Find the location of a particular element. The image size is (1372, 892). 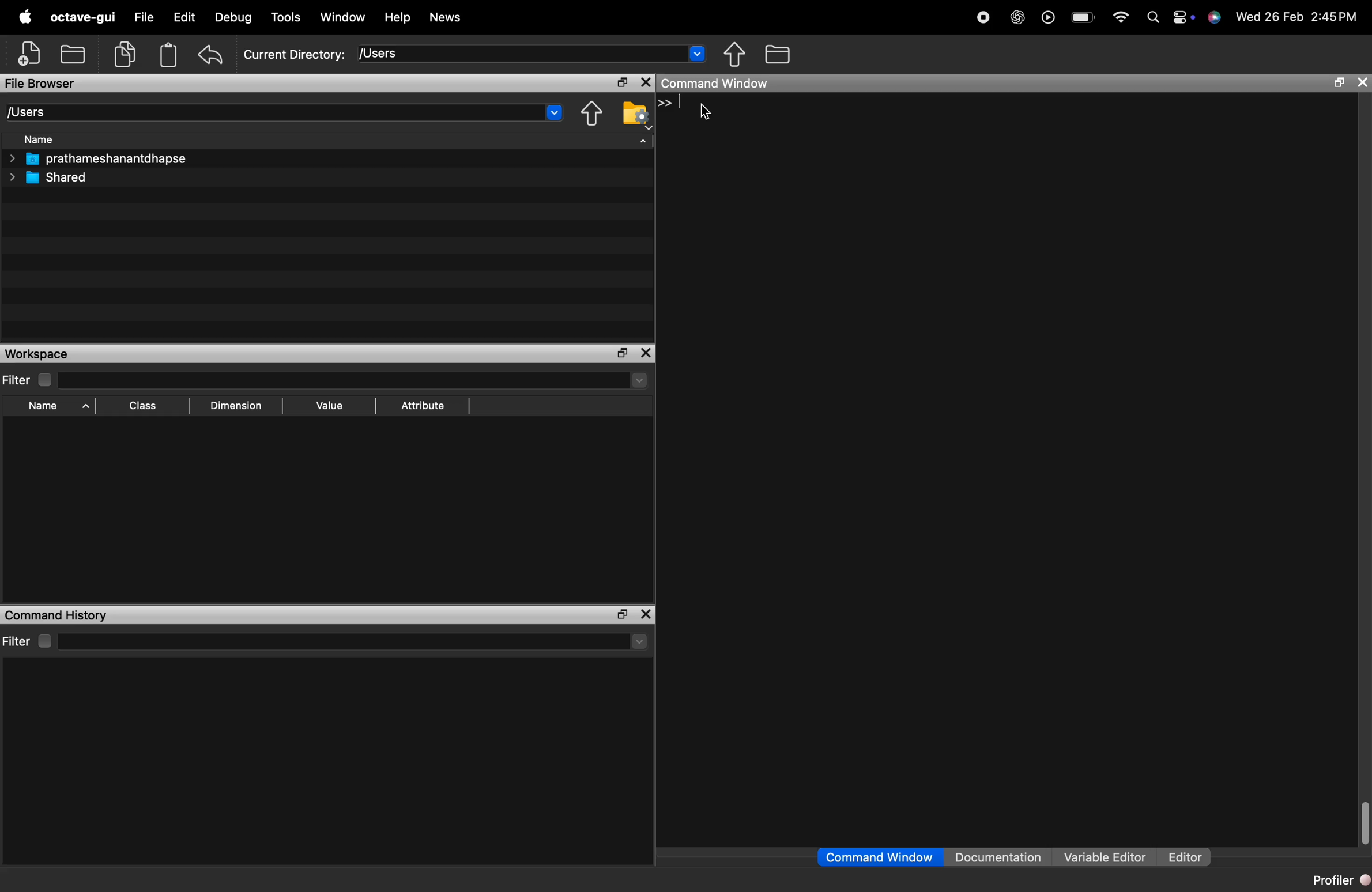

Shared is located at coordinates (59, 179).